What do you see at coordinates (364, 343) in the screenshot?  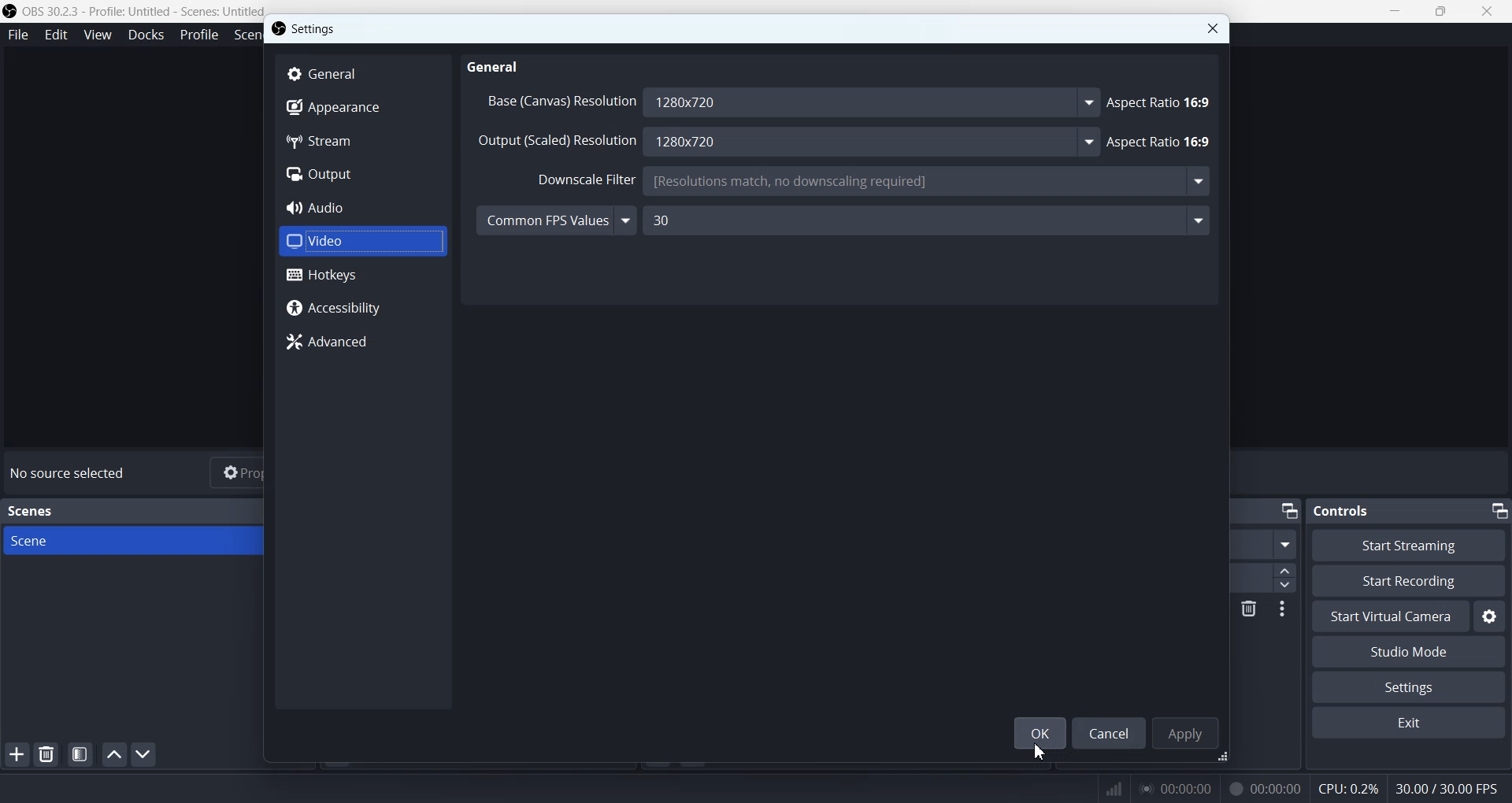 I see `Advanced` at bounding box center [364, 343].